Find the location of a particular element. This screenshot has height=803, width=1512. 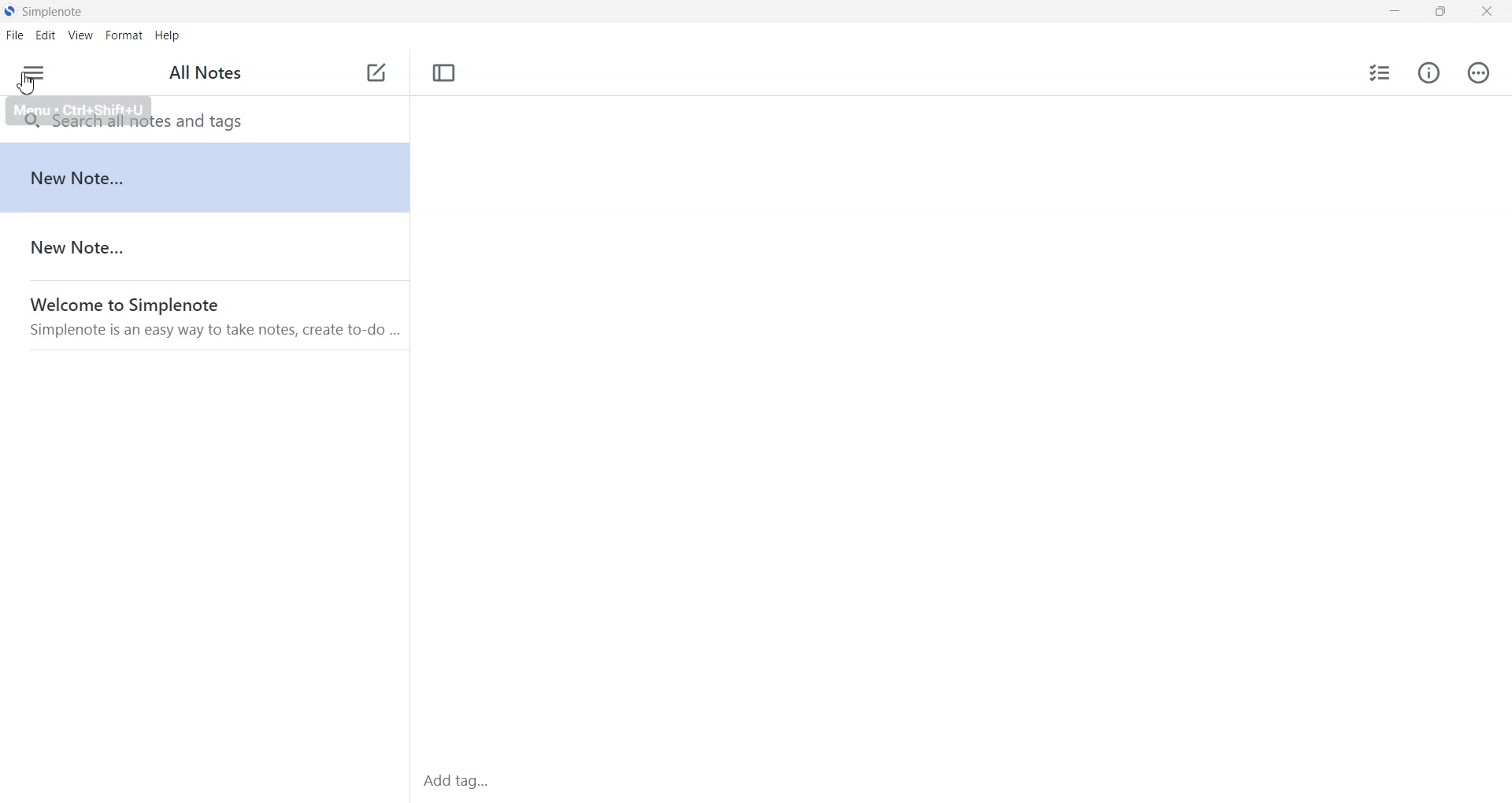

Help is located at coordinates (167, 34).